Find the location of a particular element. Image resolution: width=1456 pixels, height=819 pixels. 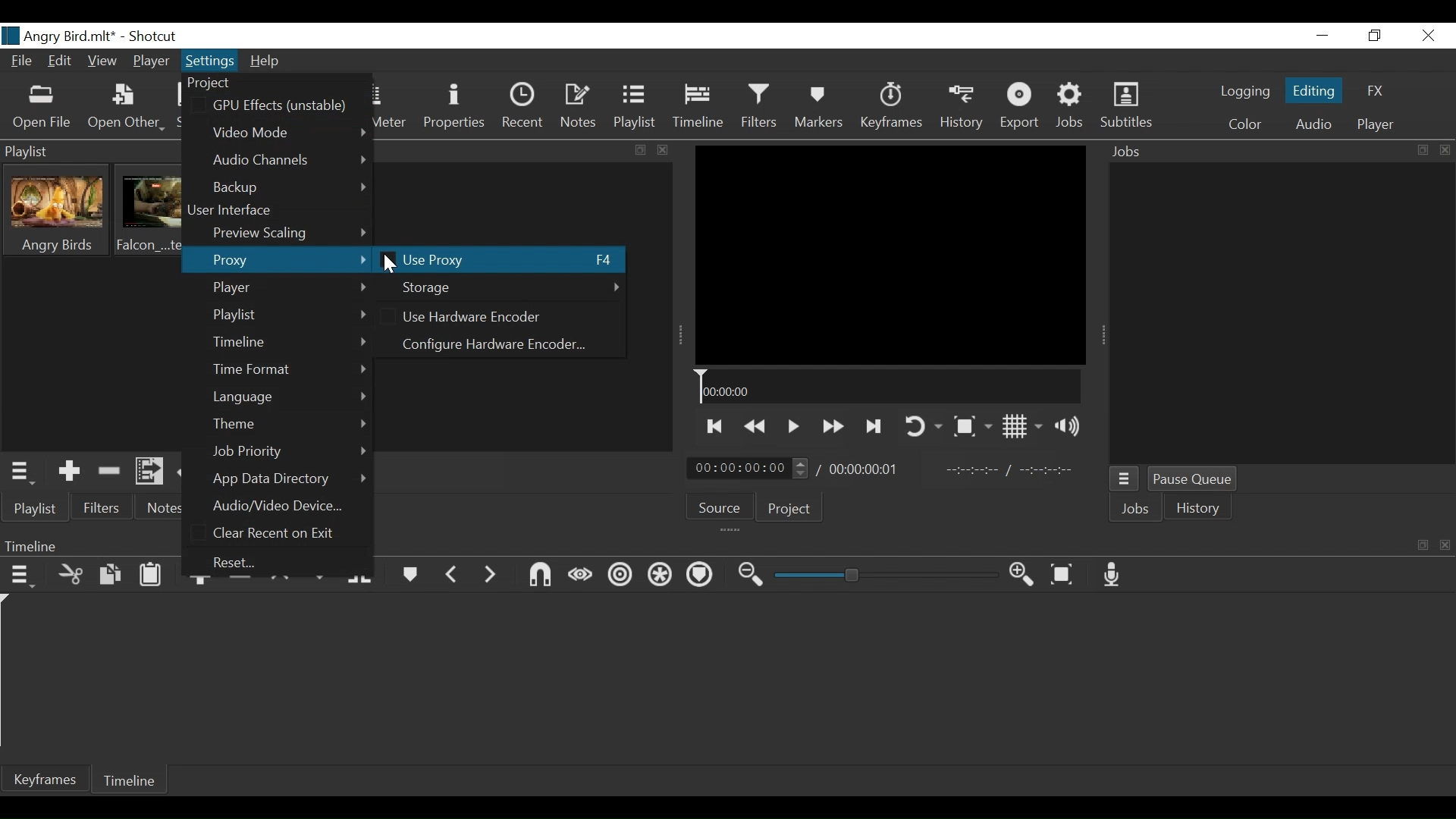

maximize is located at coordinates (641, 153).